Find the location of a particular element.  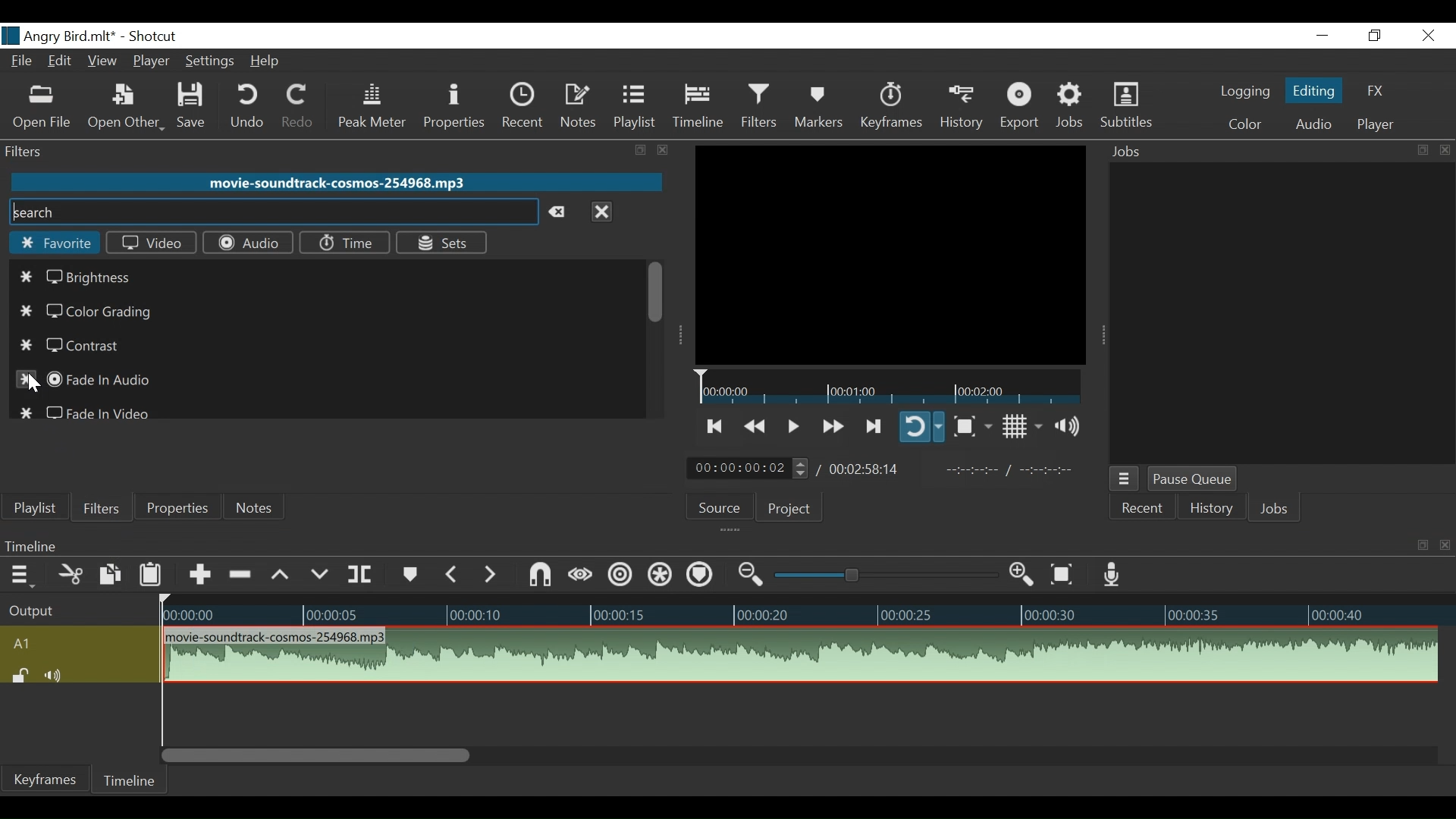

File Name is located at coordinates (60, 36).